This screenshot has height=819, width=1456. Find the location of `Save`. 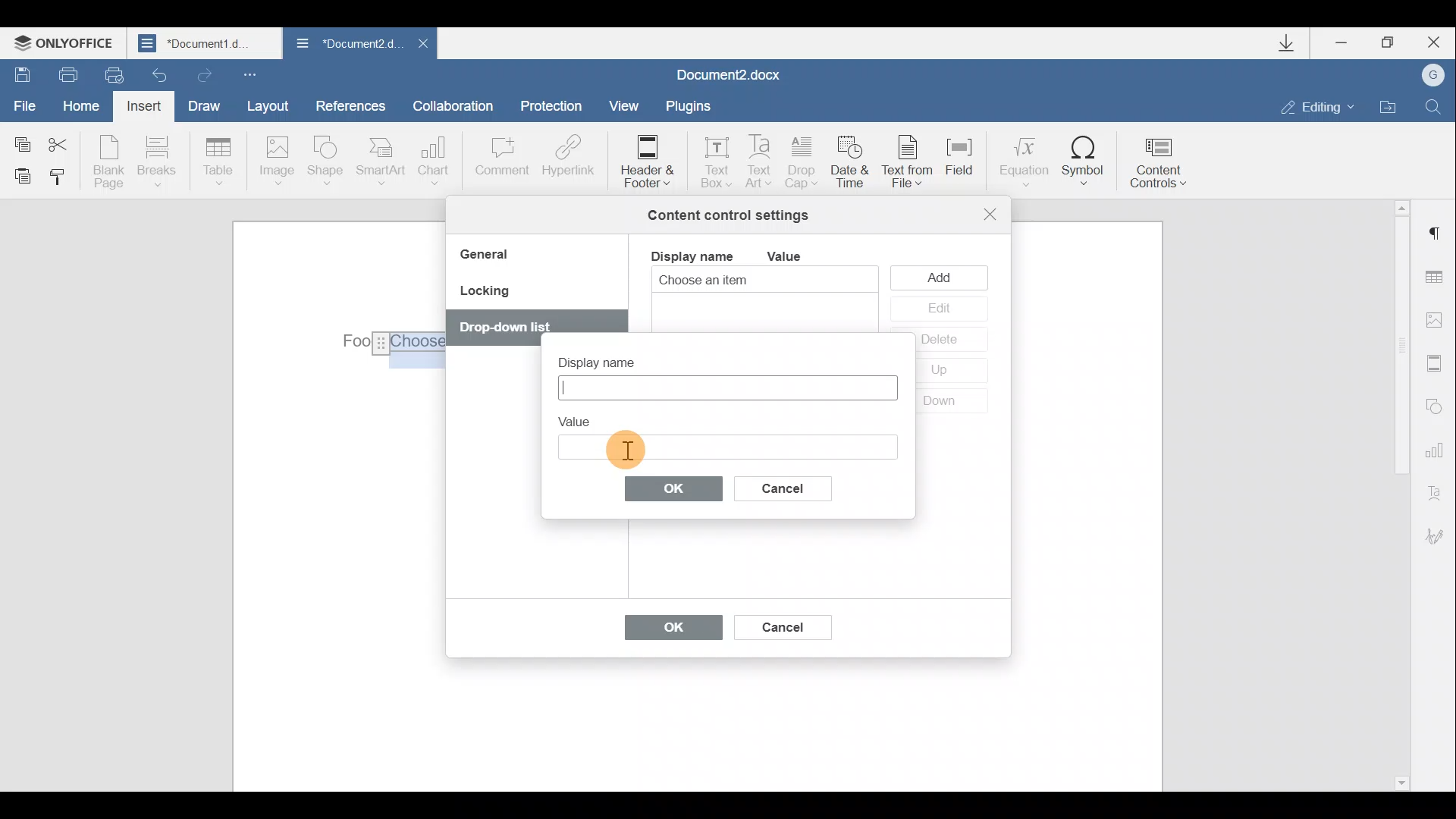

Save is located at coordinates (17, 73).